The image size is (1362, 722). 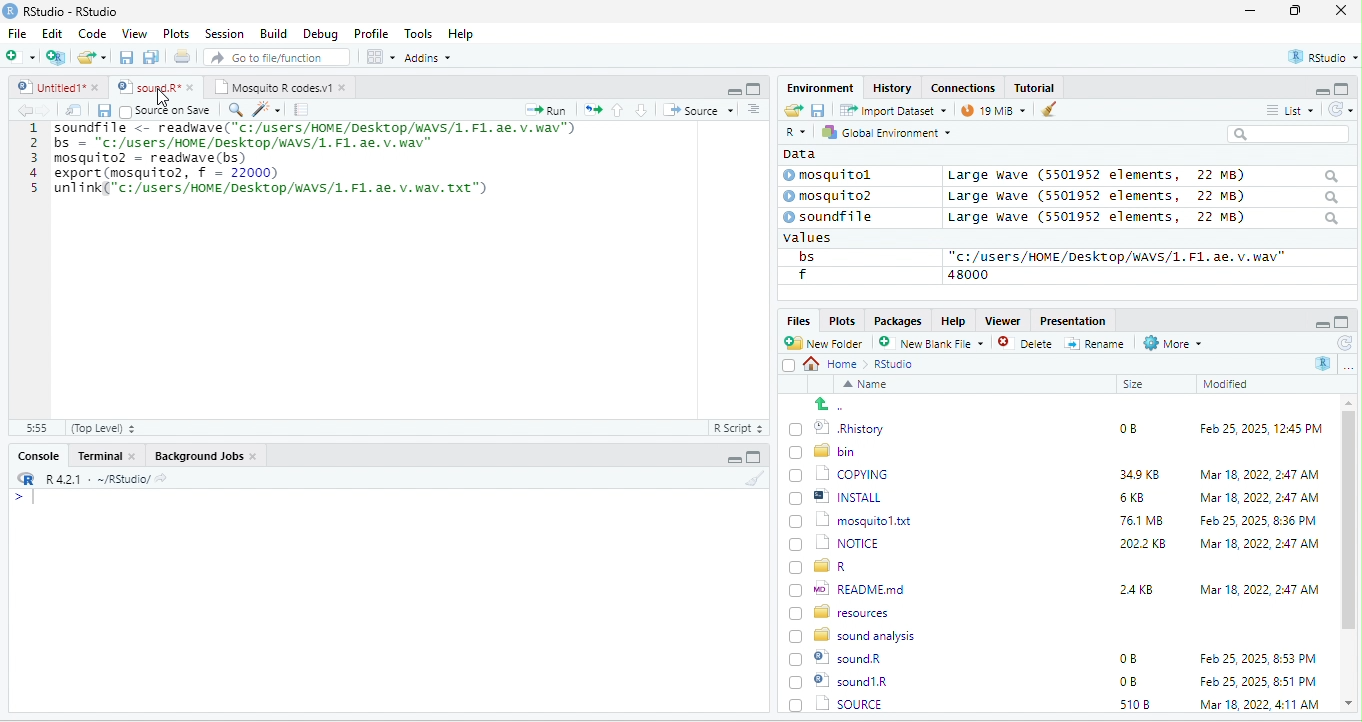 What do you see at coordinates (593, 108) in the screenshot?
I see `open` at bounding box center [593, 108].